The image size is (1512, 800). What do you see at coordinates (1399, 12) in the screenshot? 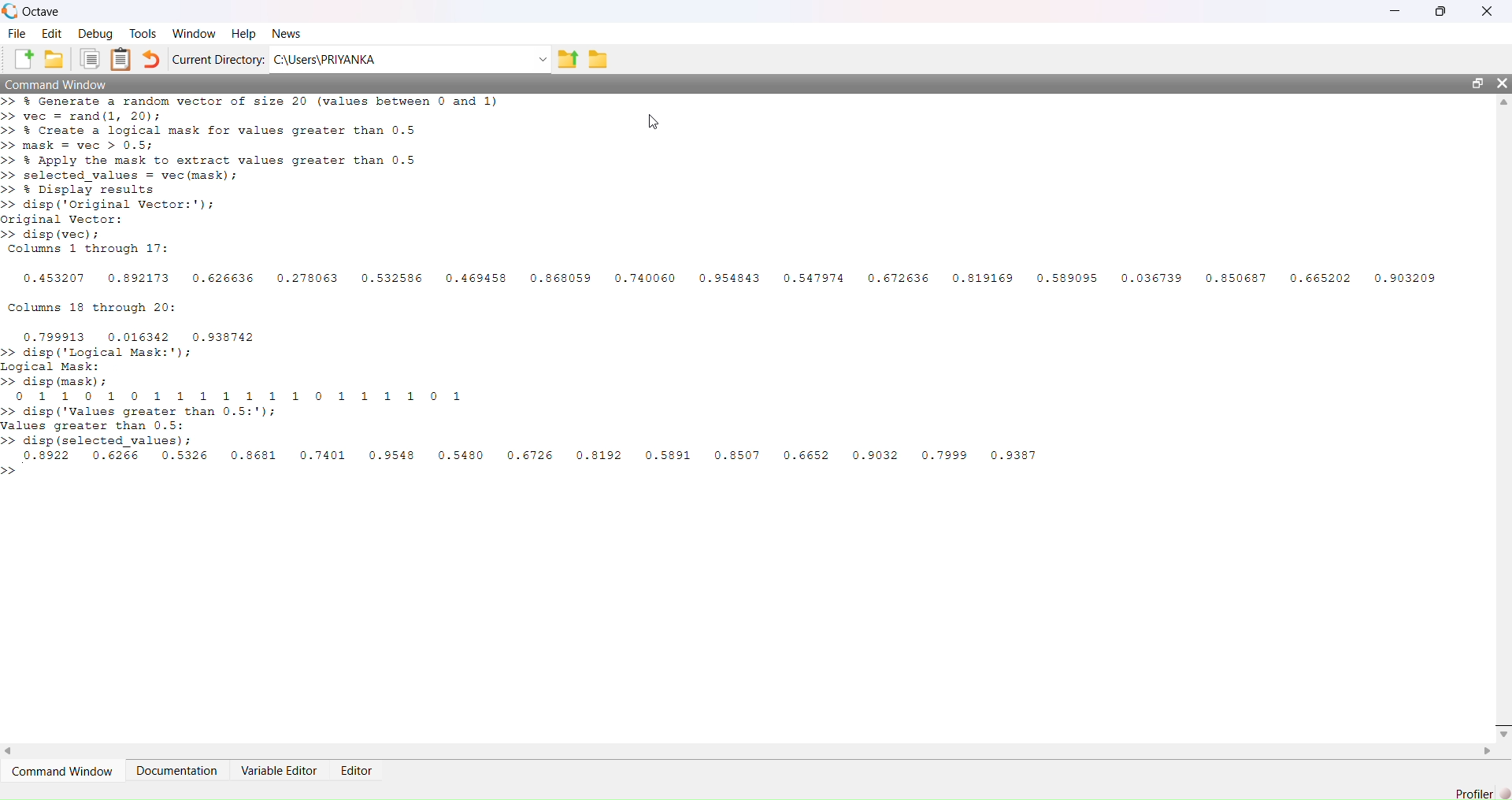
I see `Minimize` at bounding box center [1399, 12].